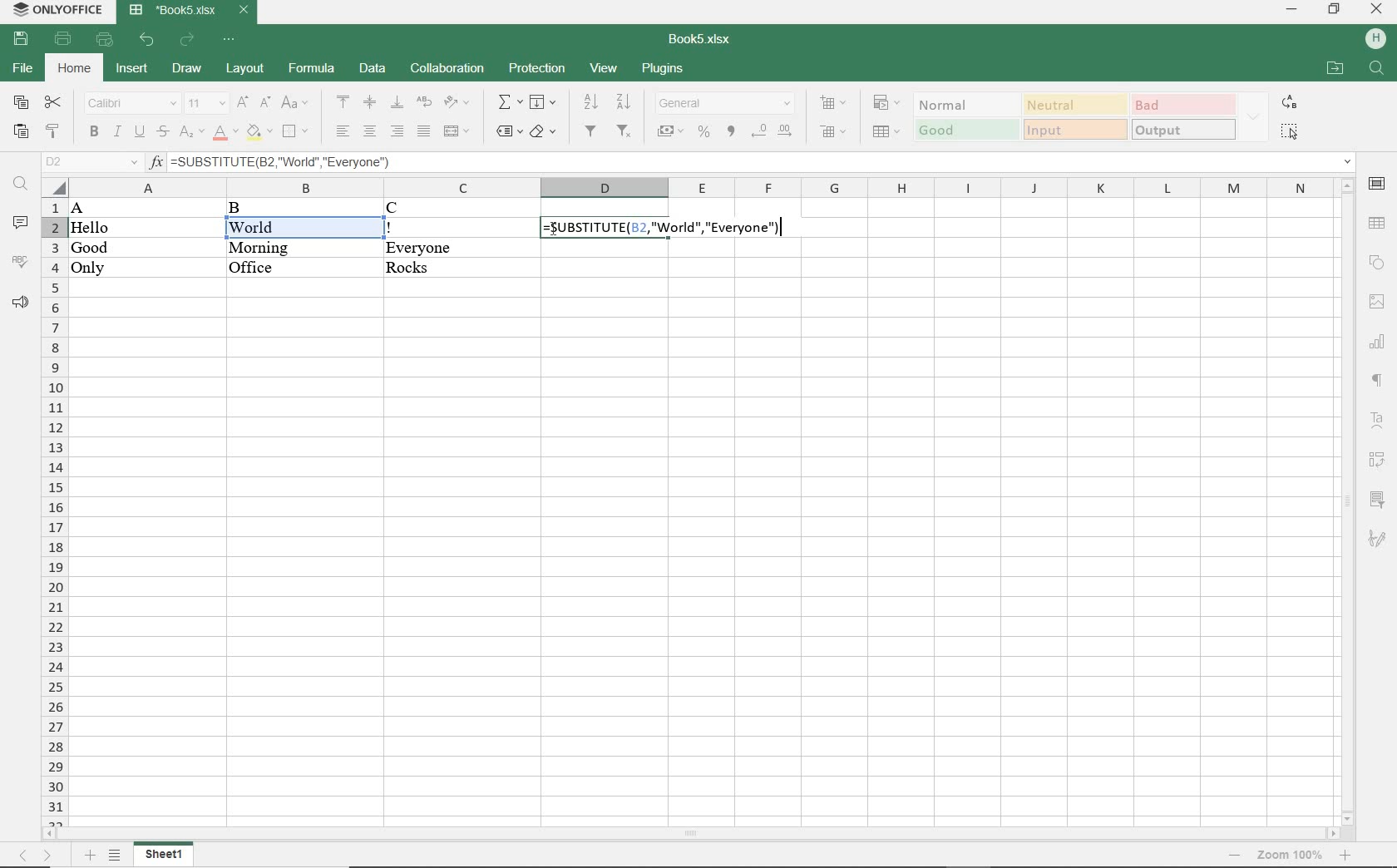 The height and width of the screenshot is (868, 1397). What do you see at coordinates (1346, 185) in the screenshot?
I see `move up` at bounding box center [1346, 185].